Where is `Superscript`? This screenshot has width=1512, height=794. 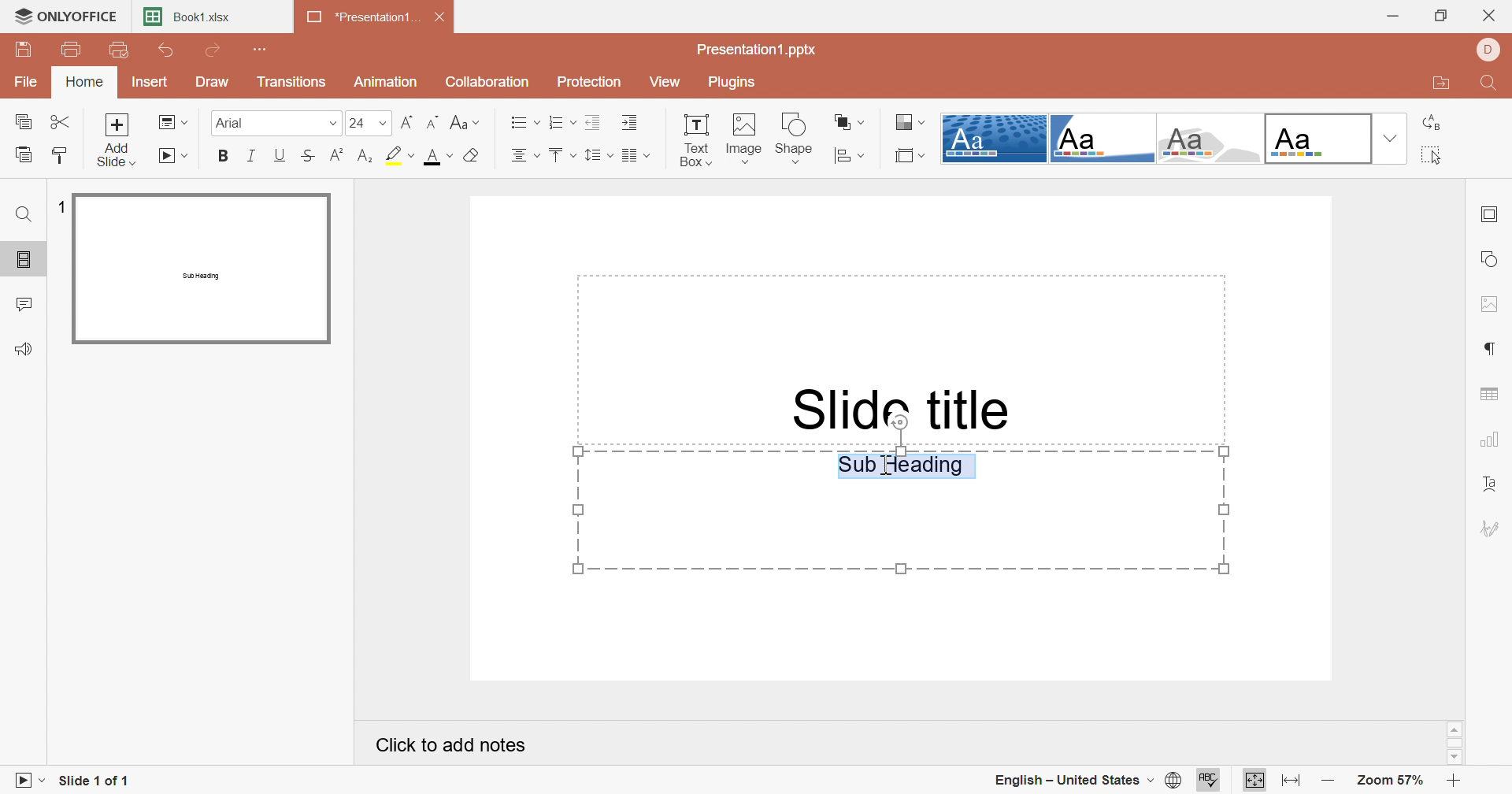 Superscript is located at coordinates (338, 154).